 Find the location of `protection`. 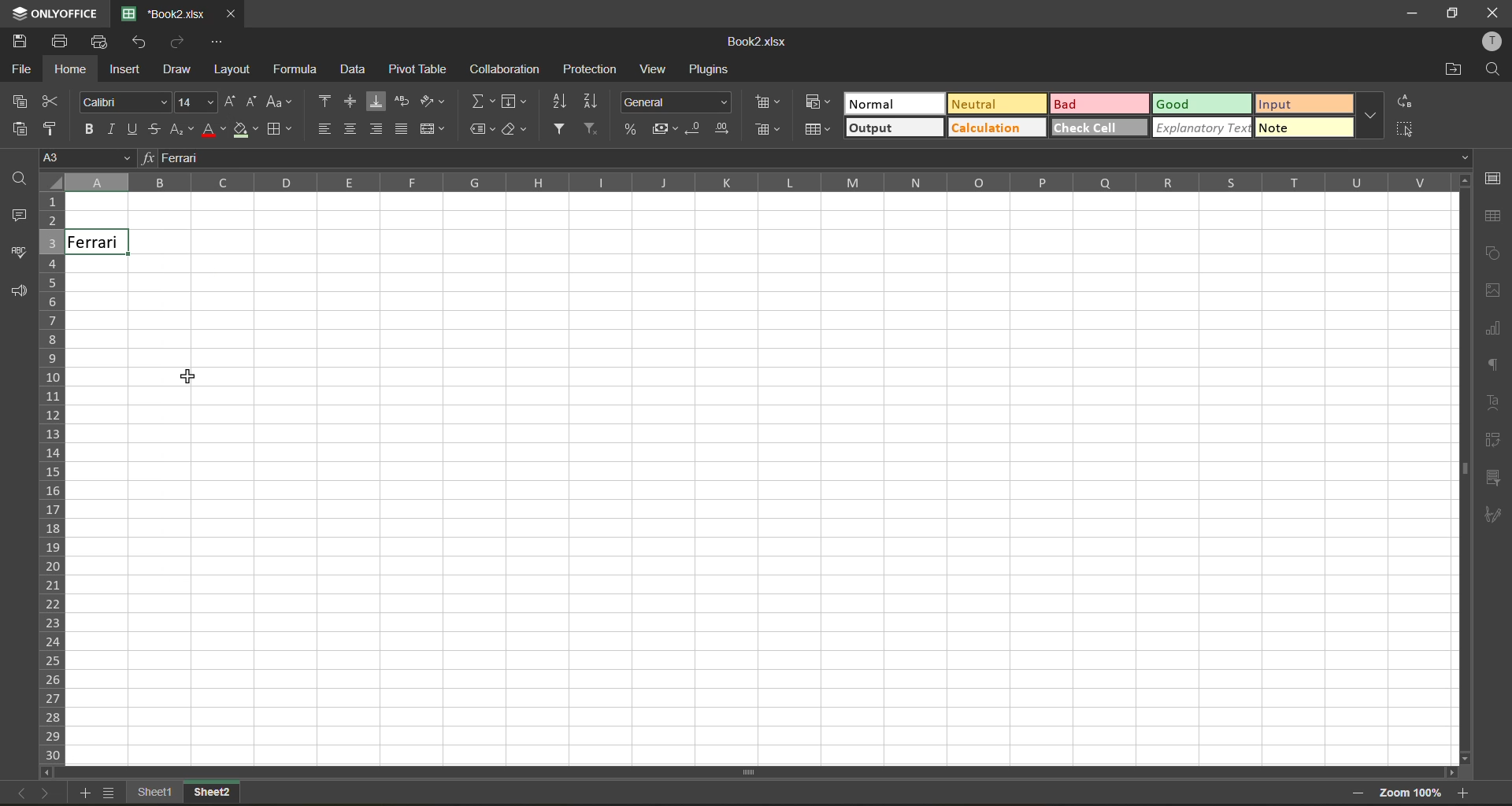

protection is located at coordinates (592, 68).